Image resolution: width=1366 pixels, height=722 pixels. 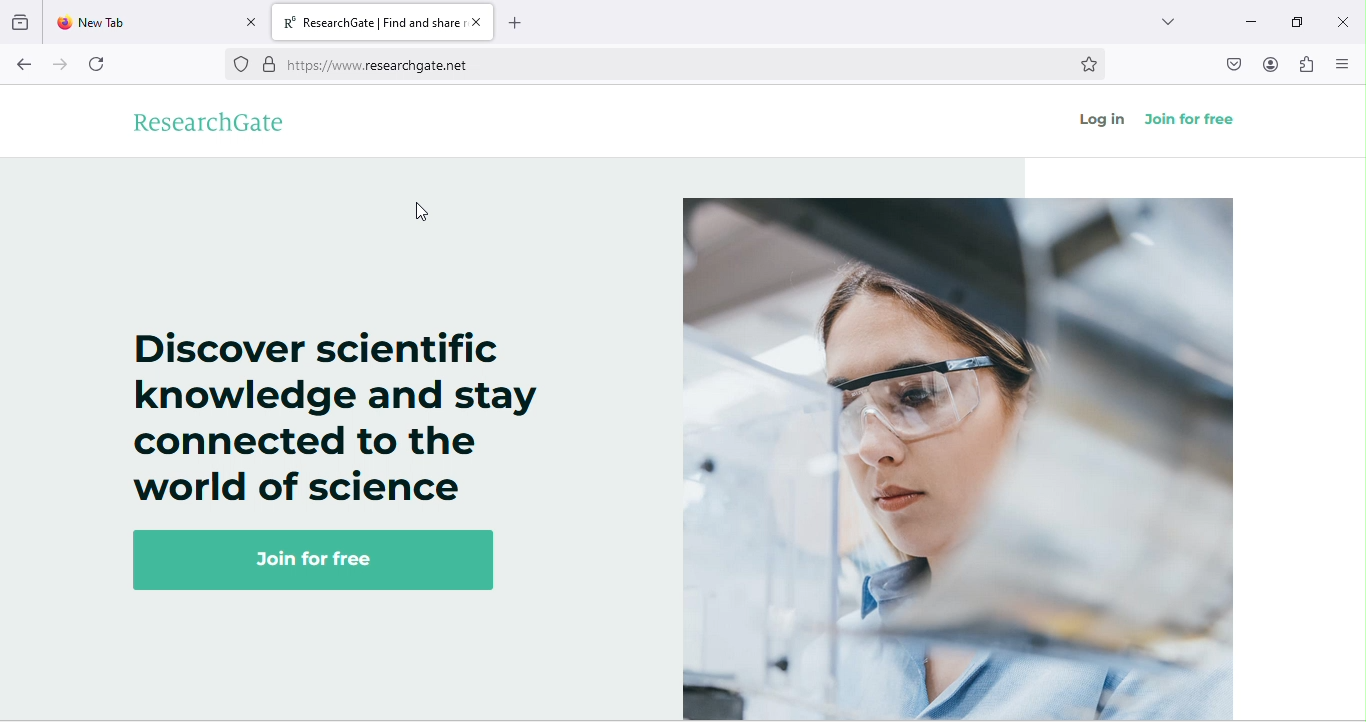 I want to click on add, so click(x=514, y=24).